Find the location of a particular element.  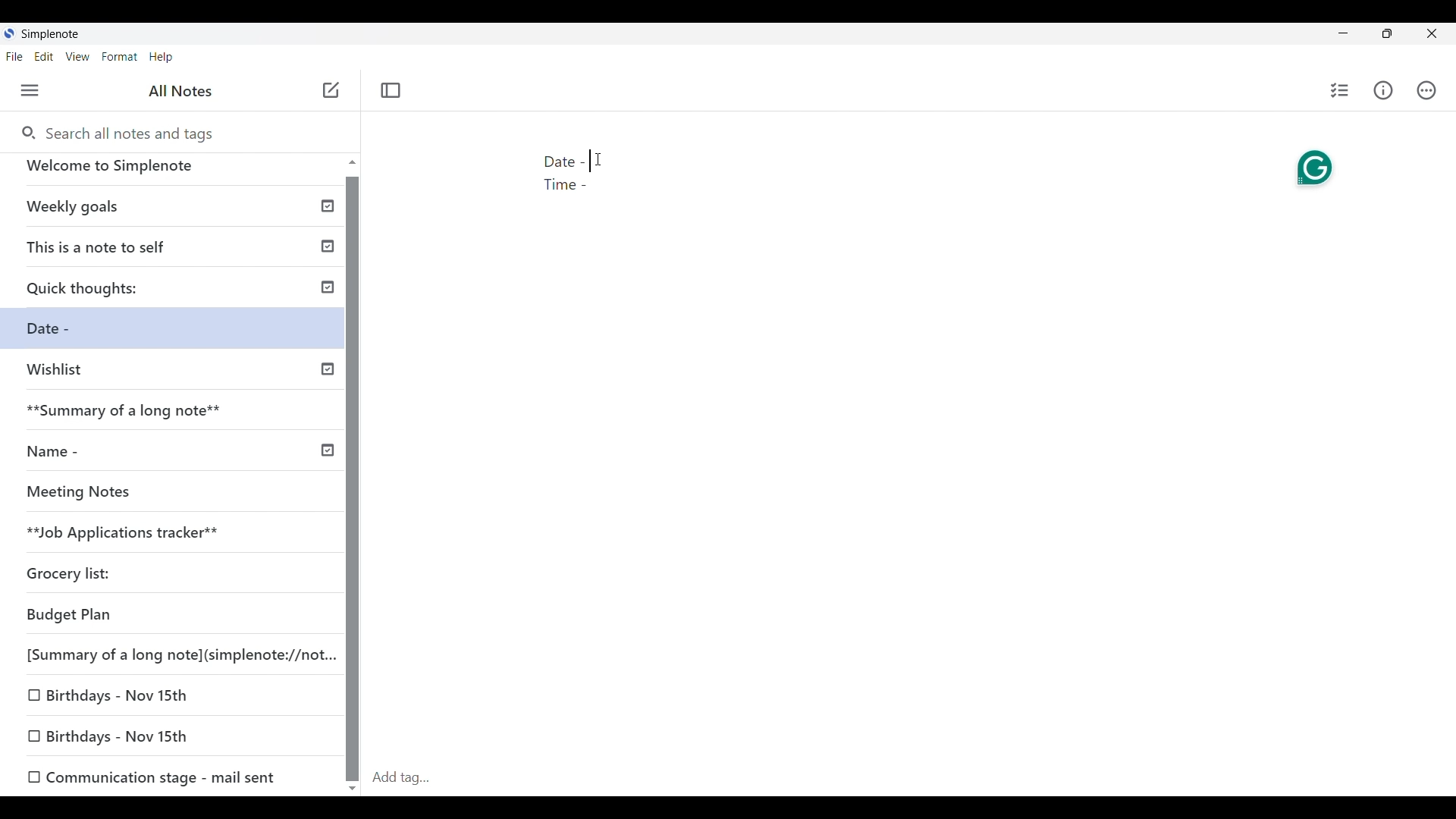

Quick slide to top is located at coordinates (353, 162).